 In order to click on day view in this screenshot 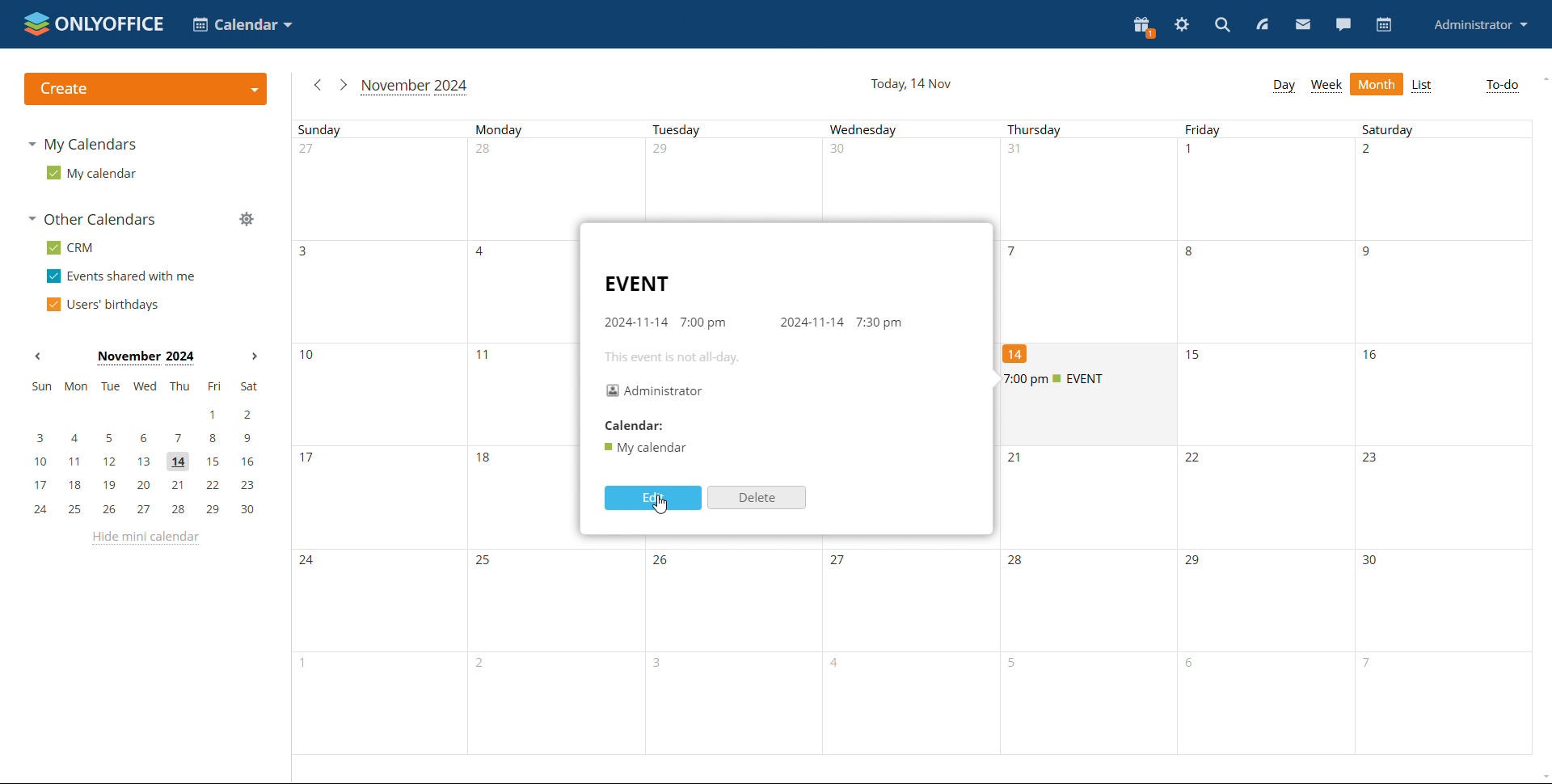, I will do `click(1284, 86)`.